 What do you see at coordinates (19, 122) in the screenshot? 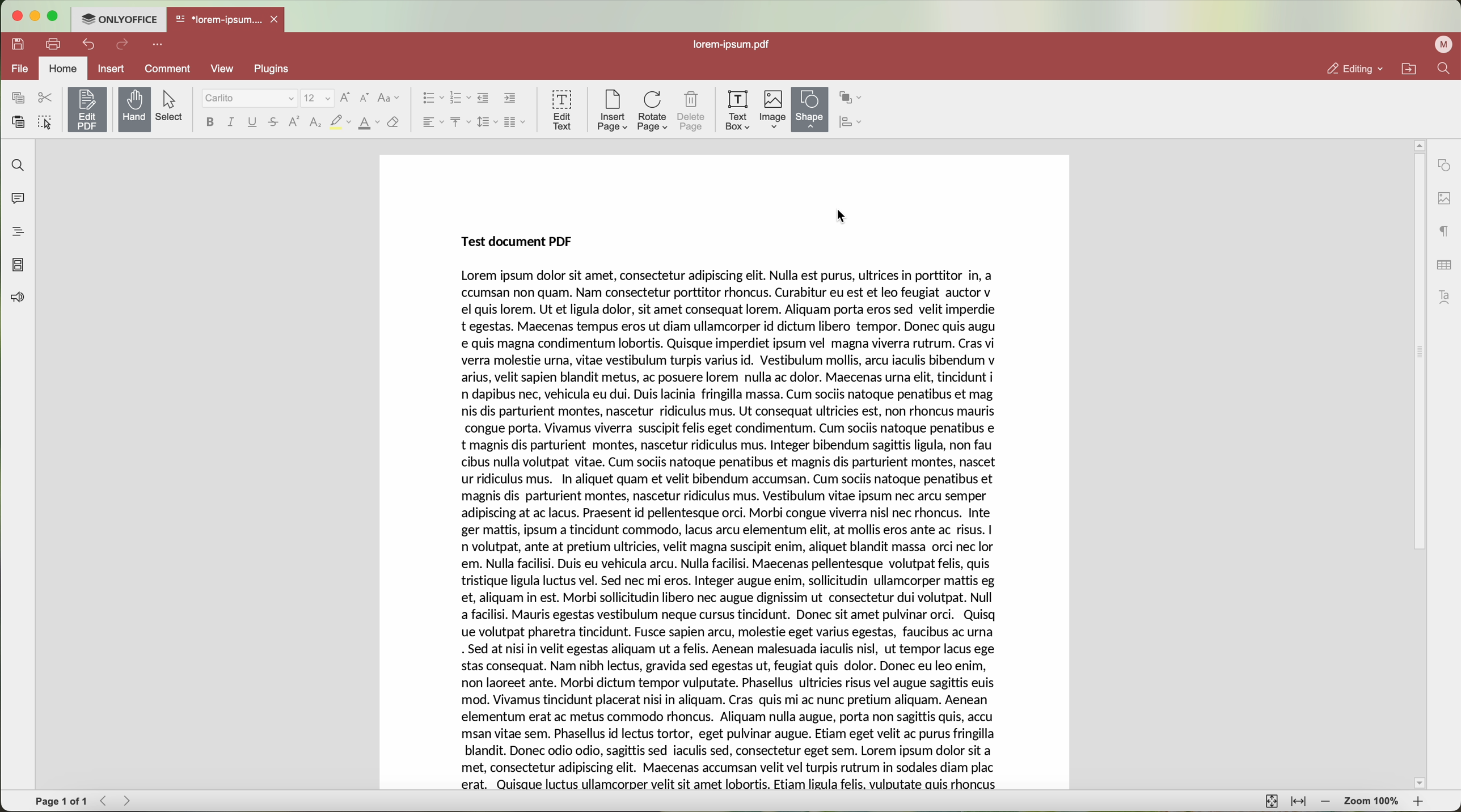
I see `paste` at bounding box center [19, 122].